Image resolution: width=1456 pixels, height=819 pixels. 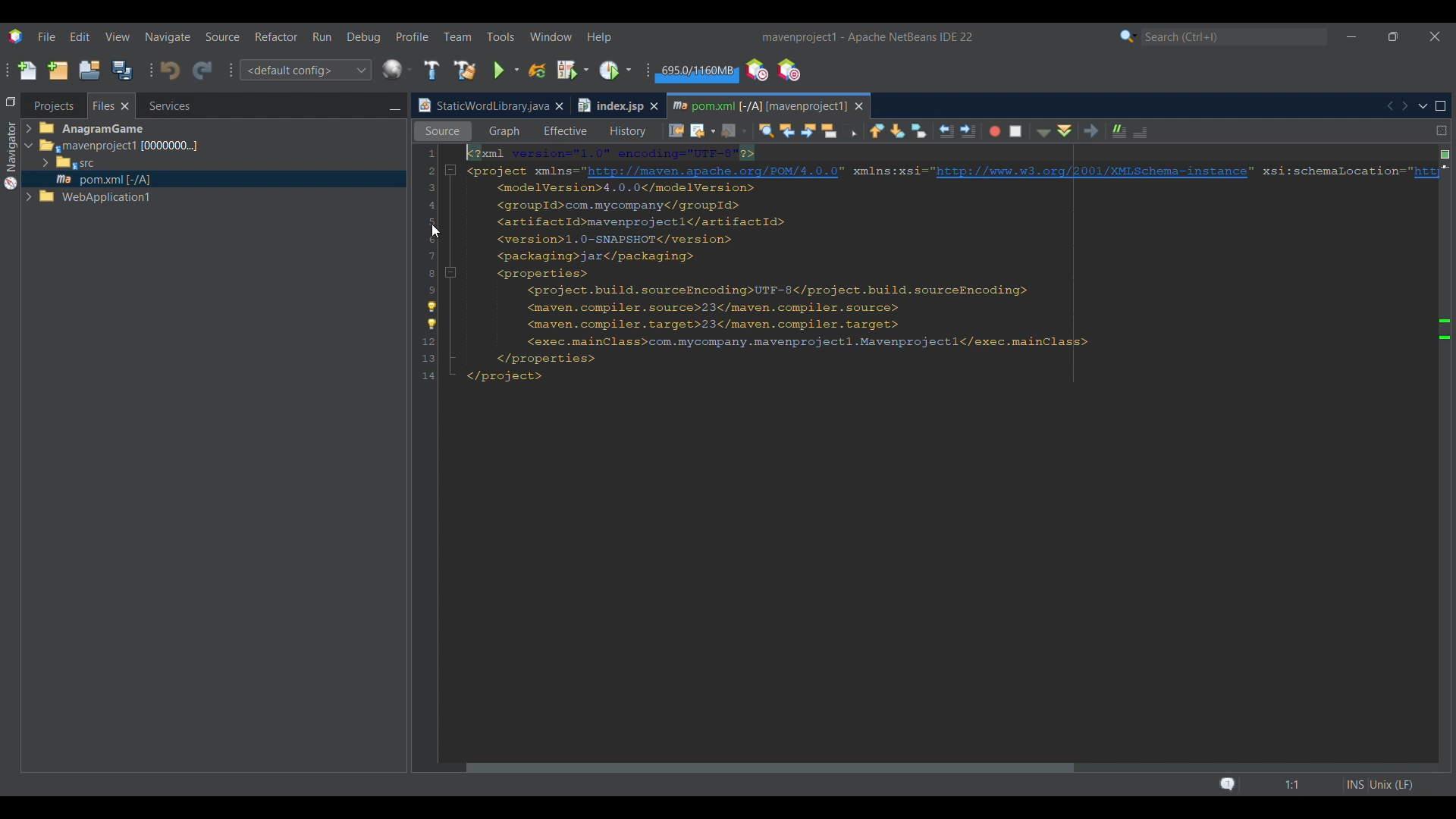 I want to click on Search category selection, so click(x=1128, y=36).